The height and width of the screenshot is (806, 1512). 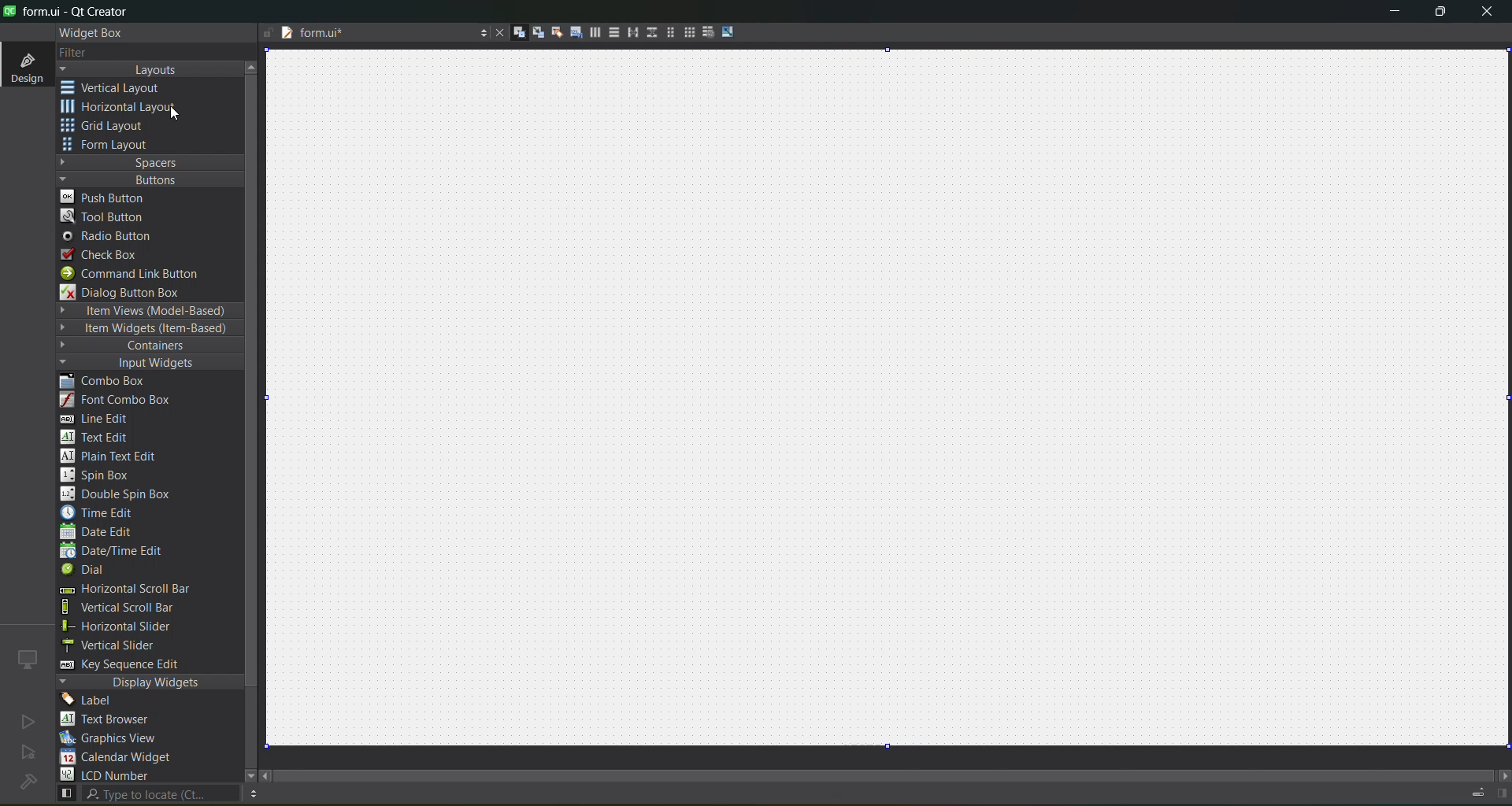 What do you see at coordinates (150, 69) in the screenshot?
I see `layouts` at bounding box center [150, 69].